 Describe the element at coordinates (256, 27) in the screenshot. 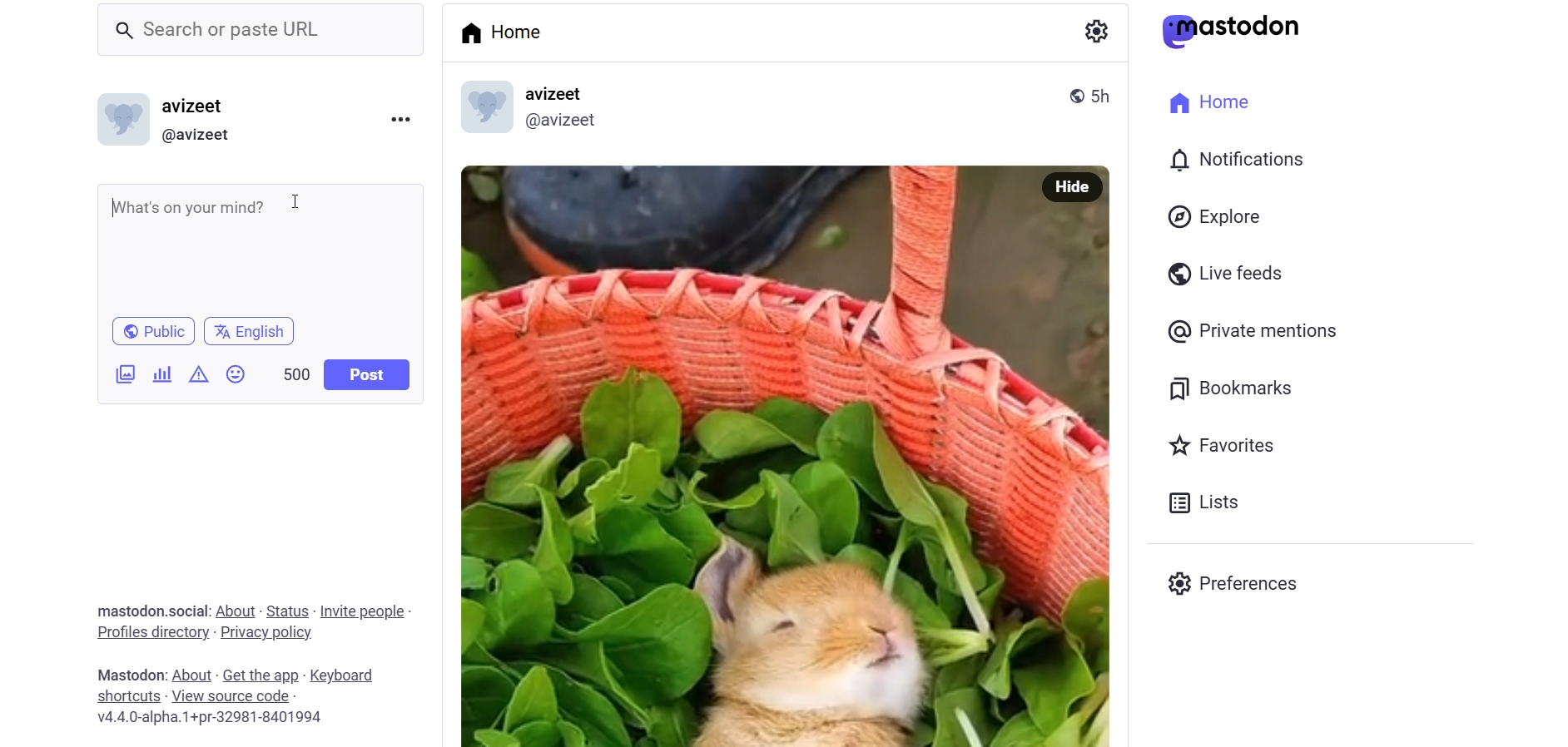

I see `search` at that location.